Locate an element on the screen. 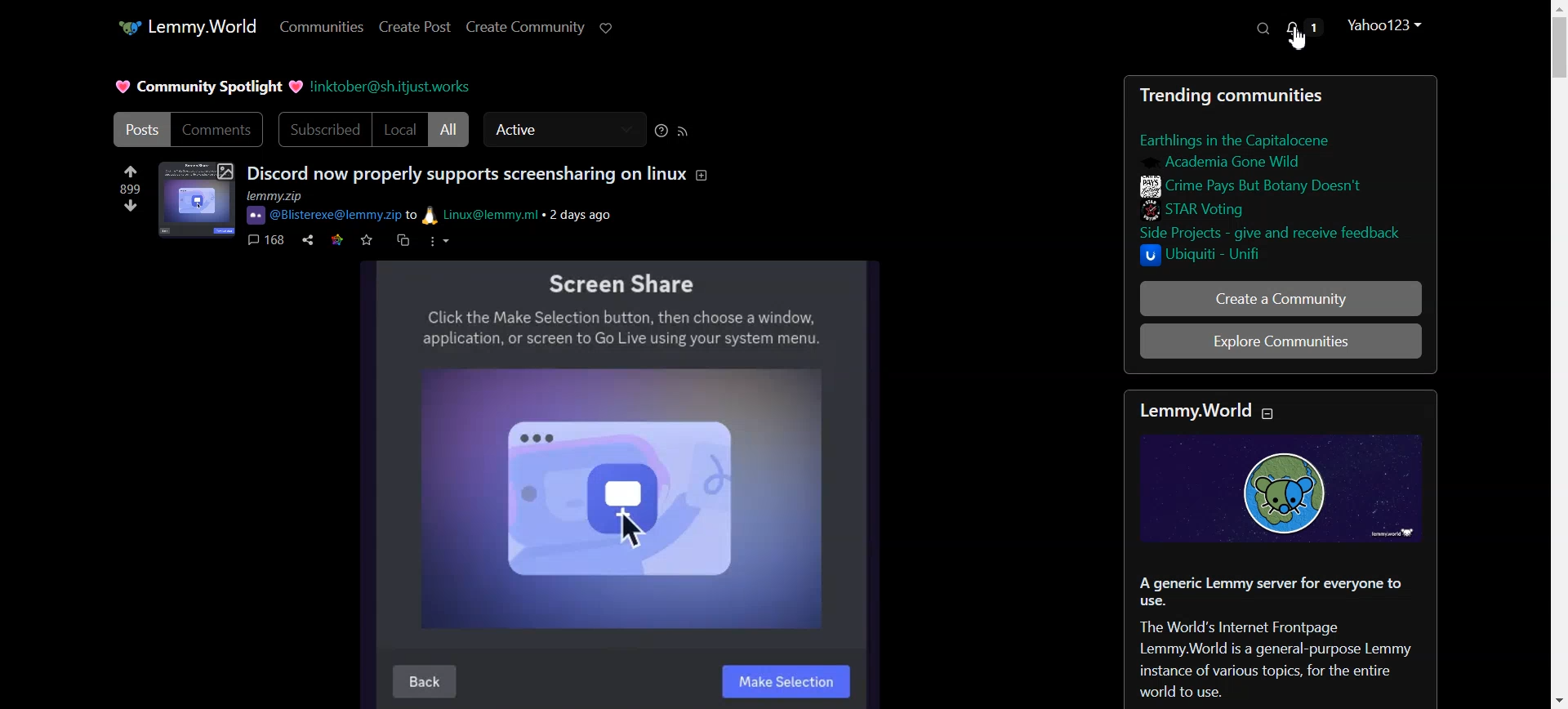 This screenshot has height=709, width=1568. Link is located at coordinates (337, 240).